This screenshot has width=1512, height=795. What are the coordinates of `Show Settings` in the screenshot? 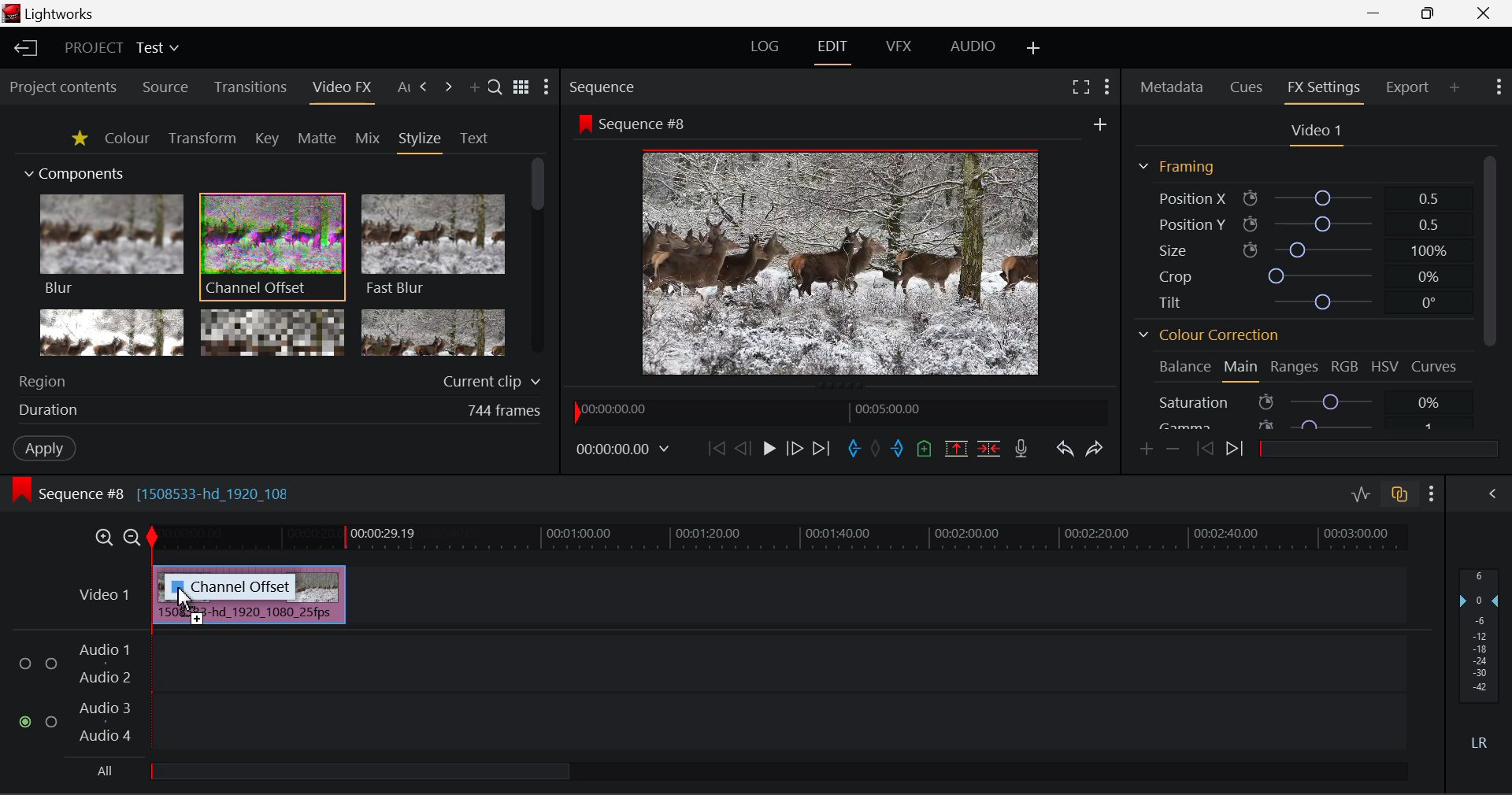 It's located at (1498, 87).